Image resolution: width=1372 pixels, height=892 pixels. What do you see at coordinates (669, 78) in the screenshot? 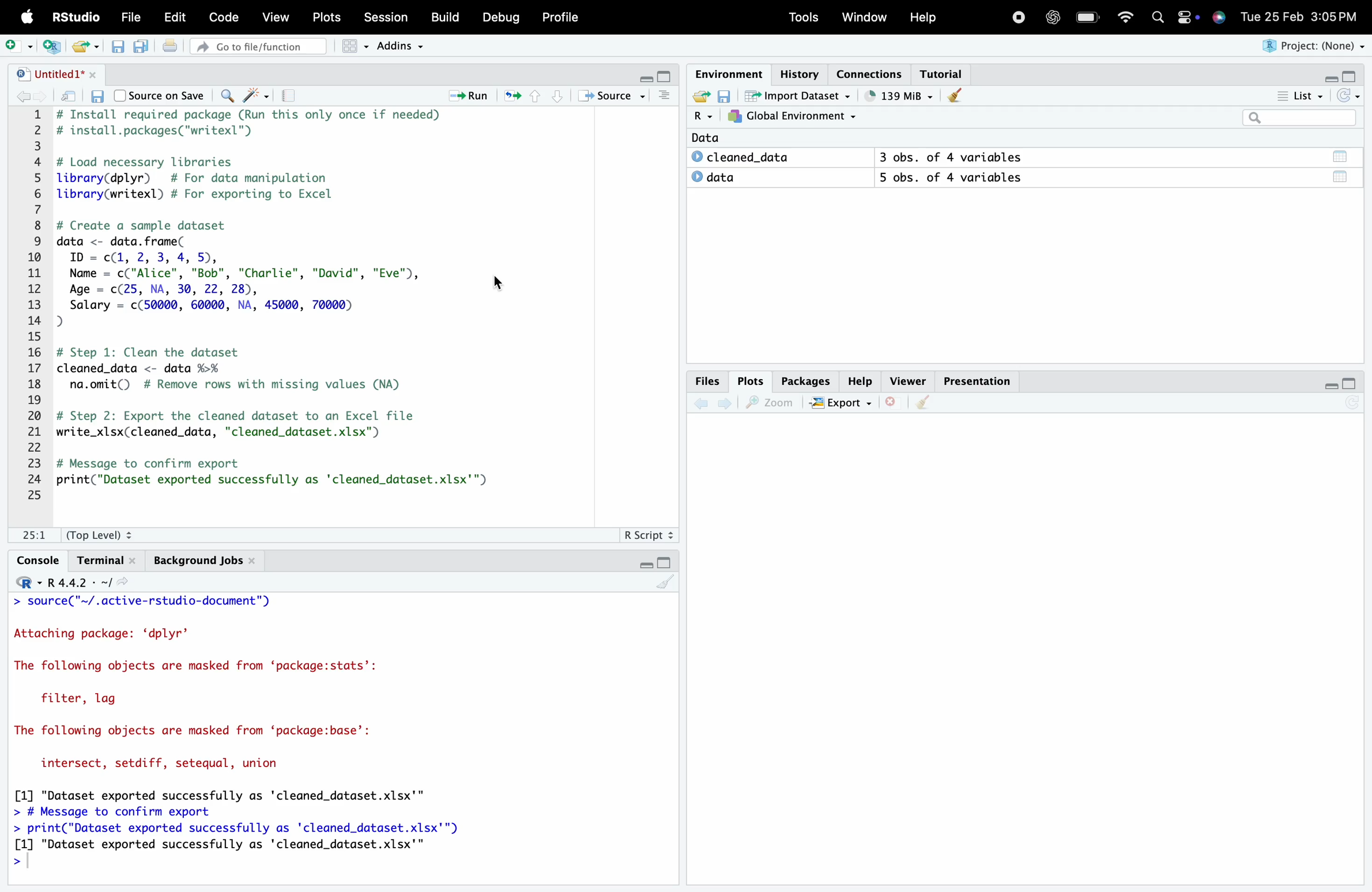
I see `Maximize/Restore` at bounding box center [669, 78].